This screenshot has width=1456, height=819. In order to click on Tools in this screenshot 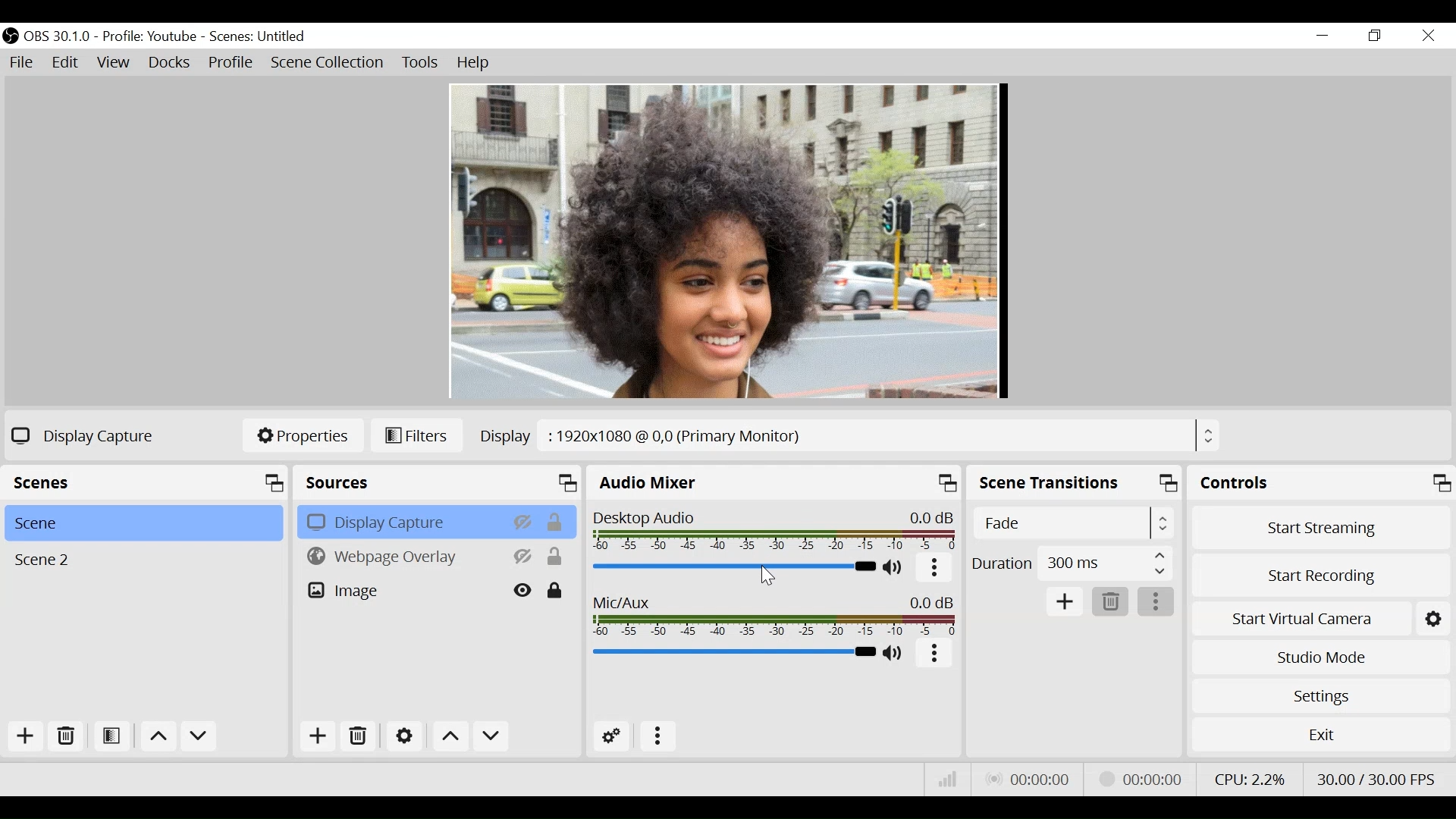, I will do `click(422, 63)`.